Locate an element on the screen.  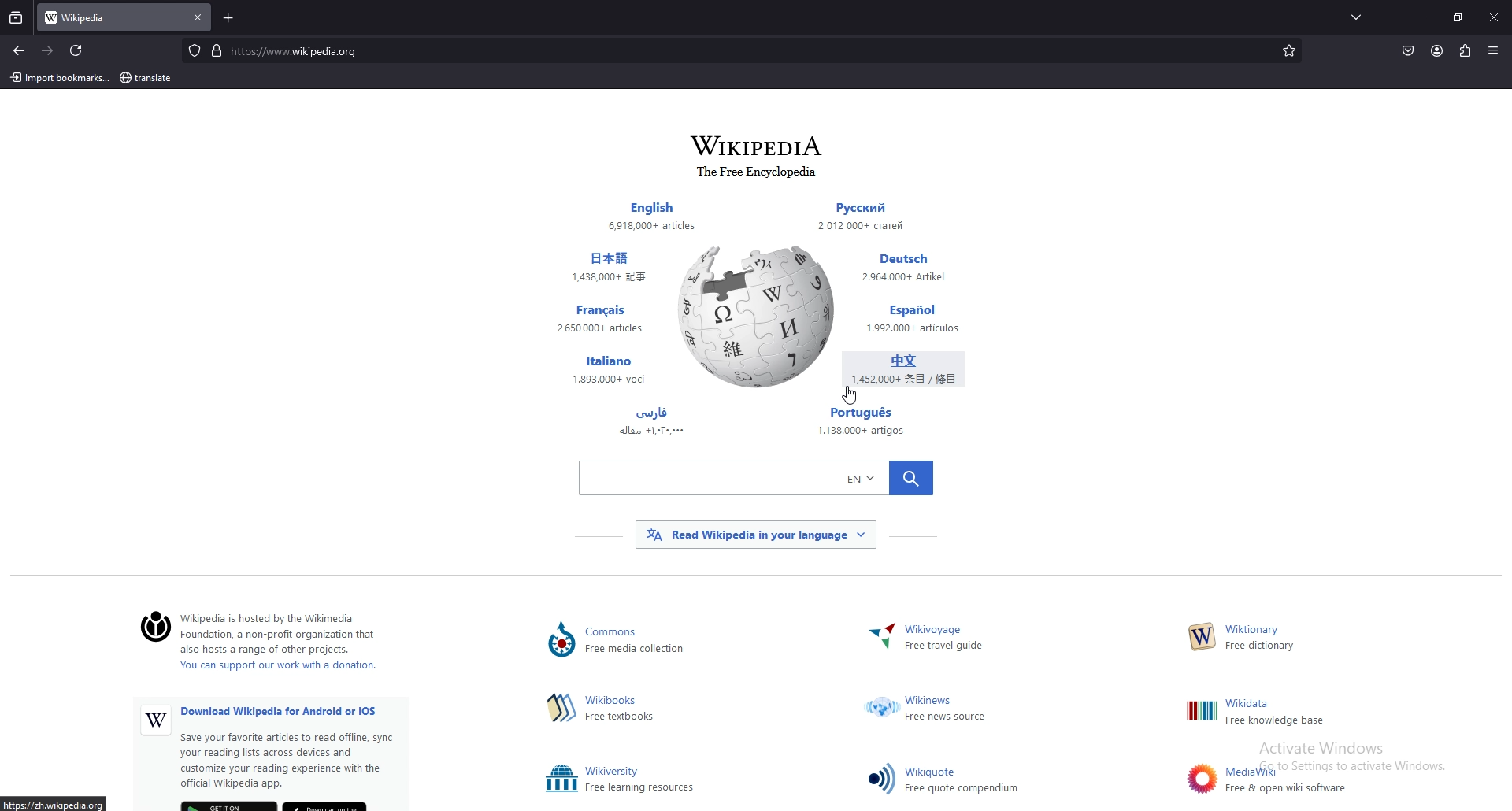
© is located at coordinates (150, 628).